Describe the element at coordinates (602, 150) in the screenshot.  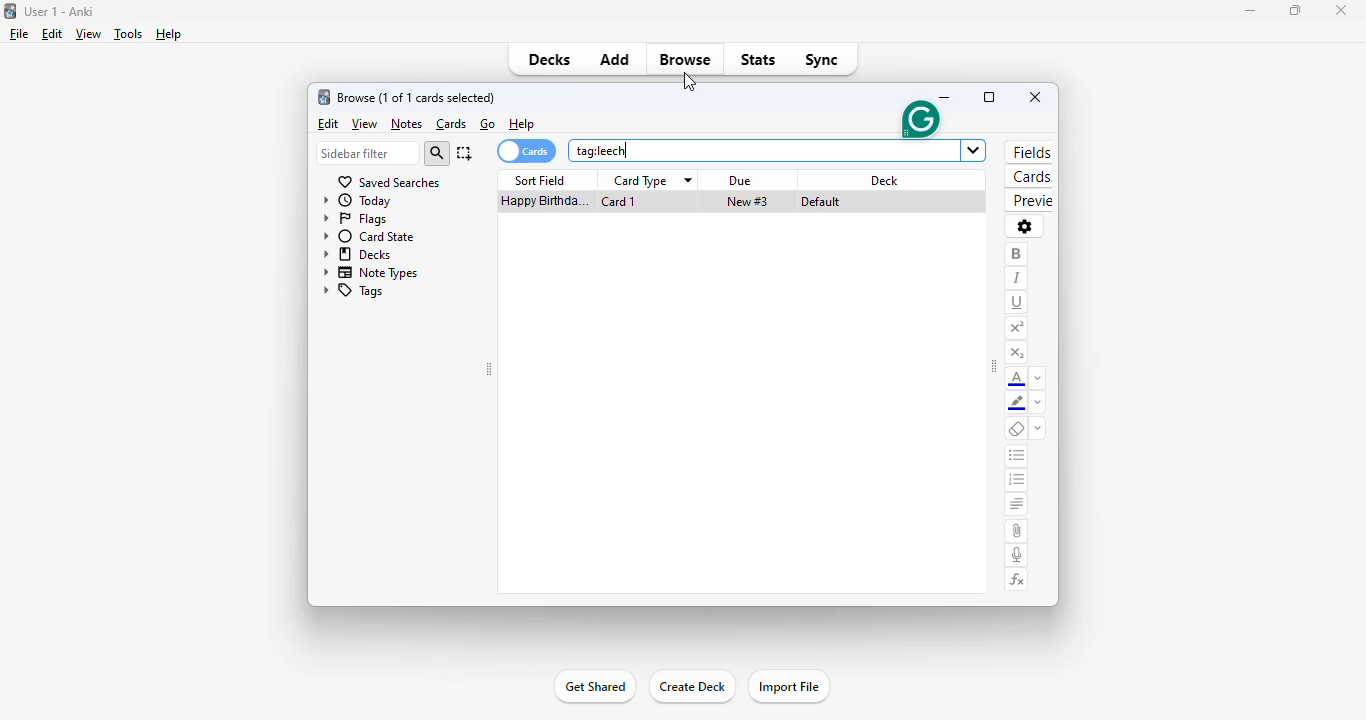
I see `"tag:leech" typed and entered` at that location.